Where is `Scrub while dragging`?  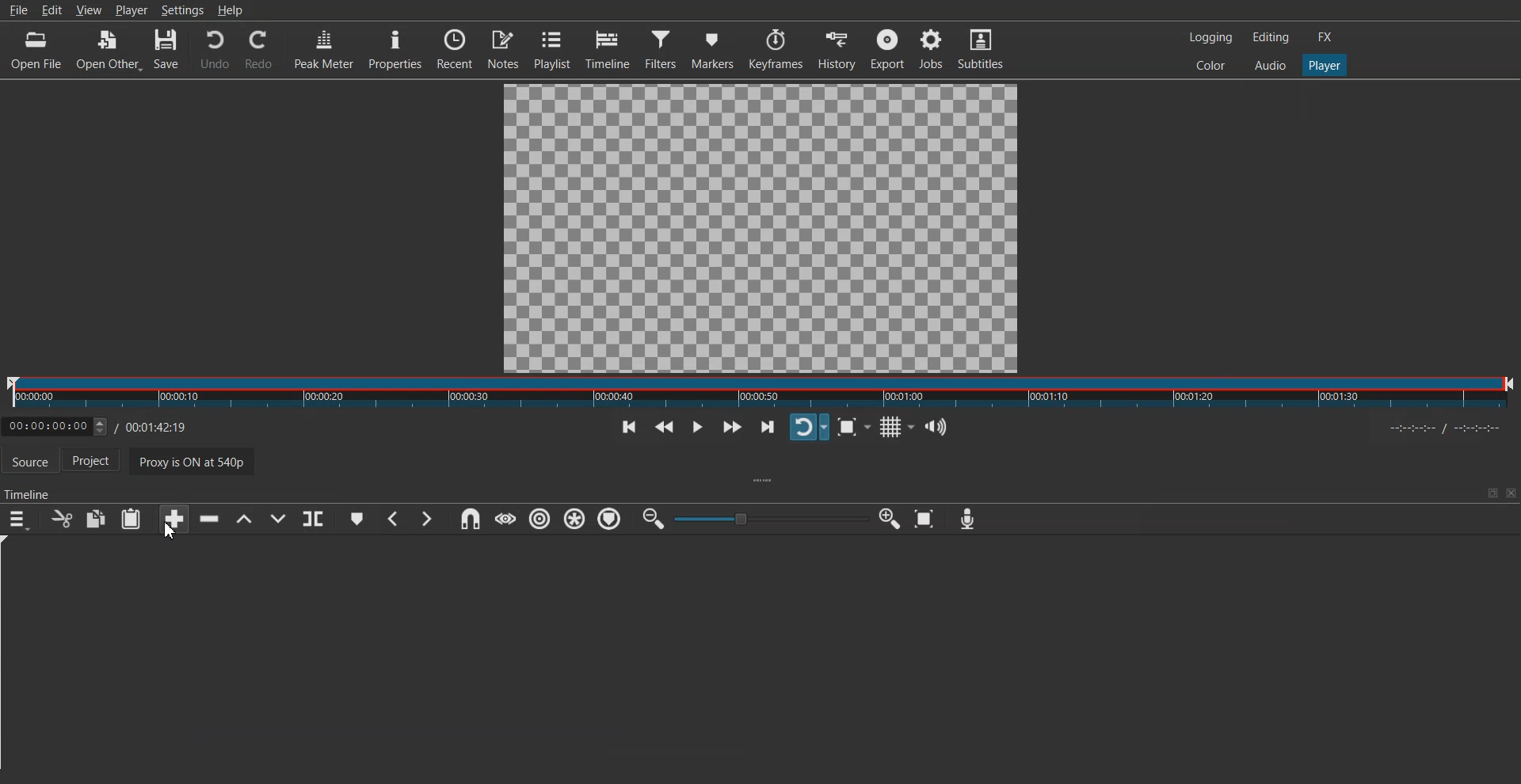 Scrub while dragging is located at coordinates (505, 519).